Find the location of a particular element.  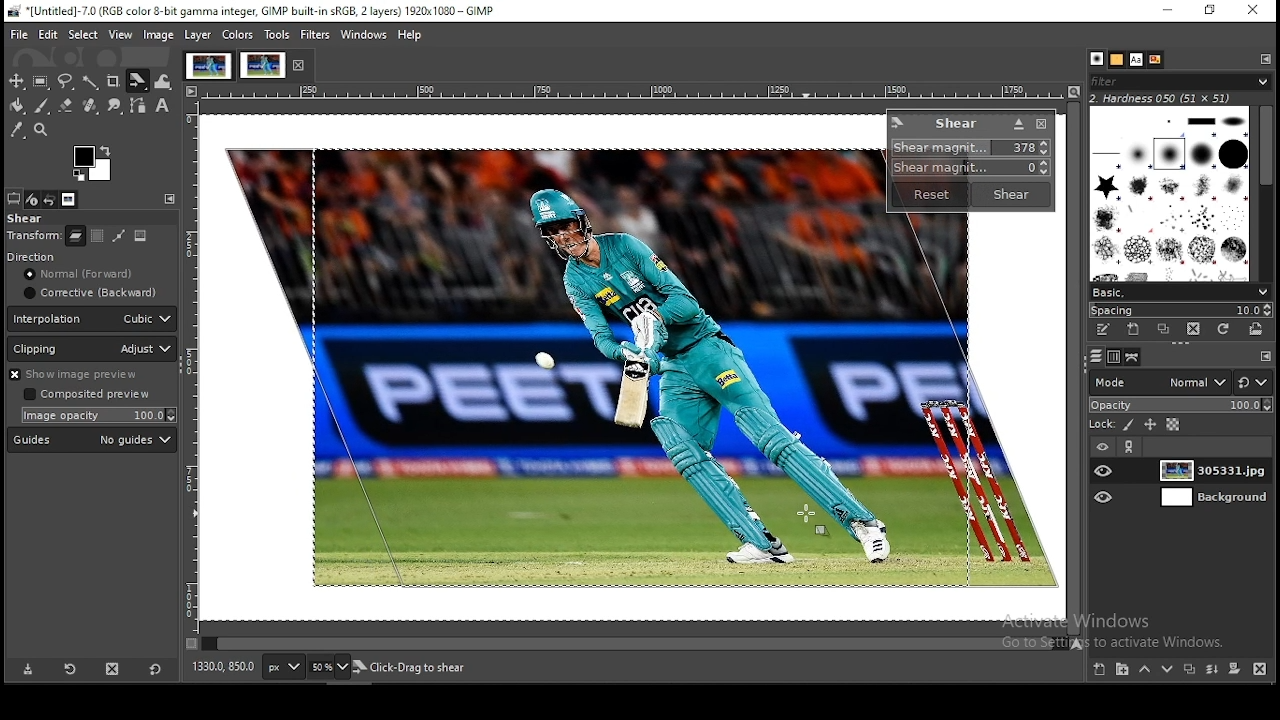

restore is located at coordinates (1211, 12).